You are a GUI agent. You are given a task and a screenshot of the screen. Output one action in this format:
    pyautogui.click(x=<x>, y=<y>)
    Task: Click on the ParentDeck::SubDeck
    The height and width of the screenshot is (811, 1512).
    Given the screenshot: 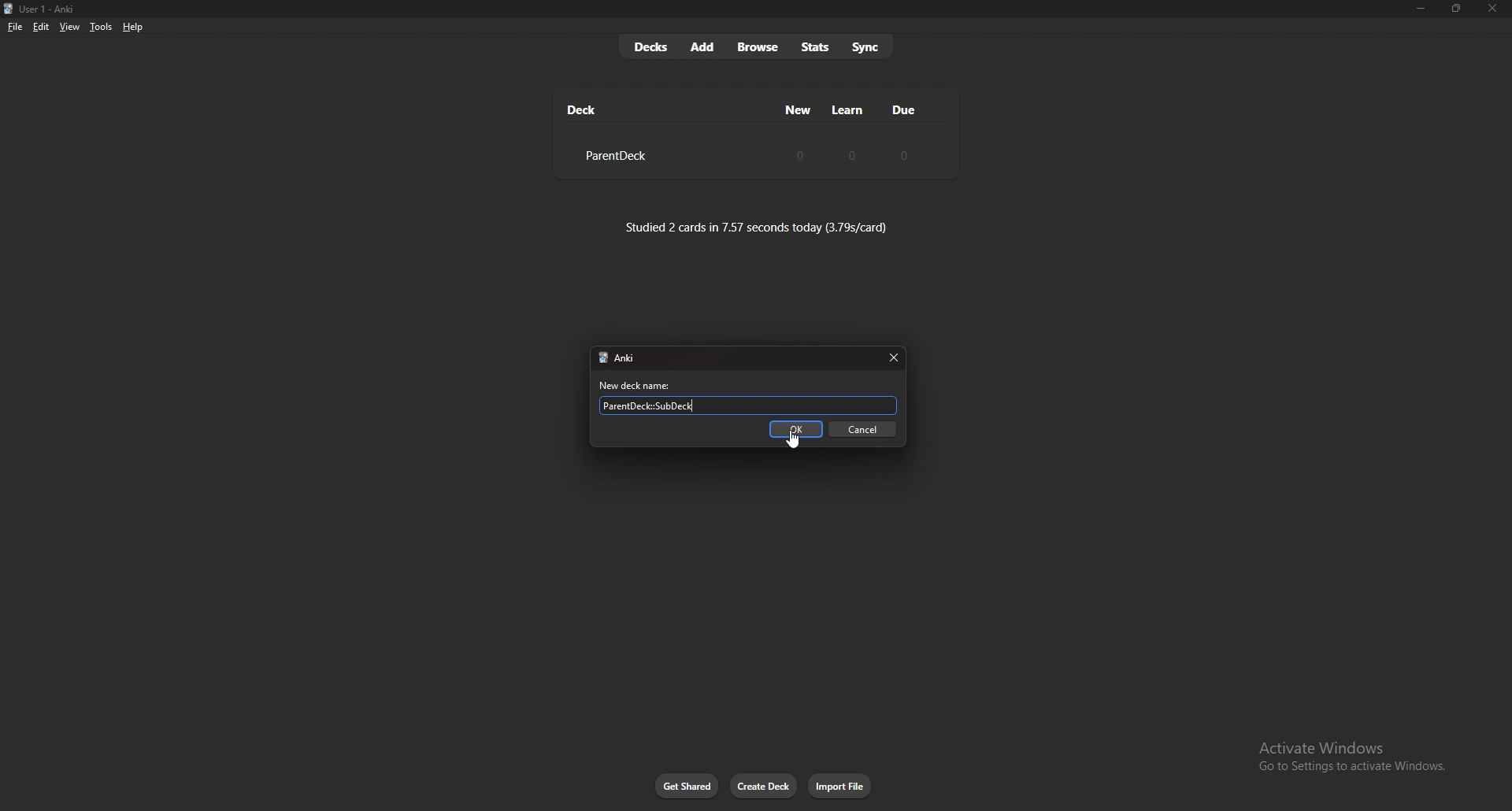 What is the action you would take?
    pyautogui.click(x=750, y=405)
    